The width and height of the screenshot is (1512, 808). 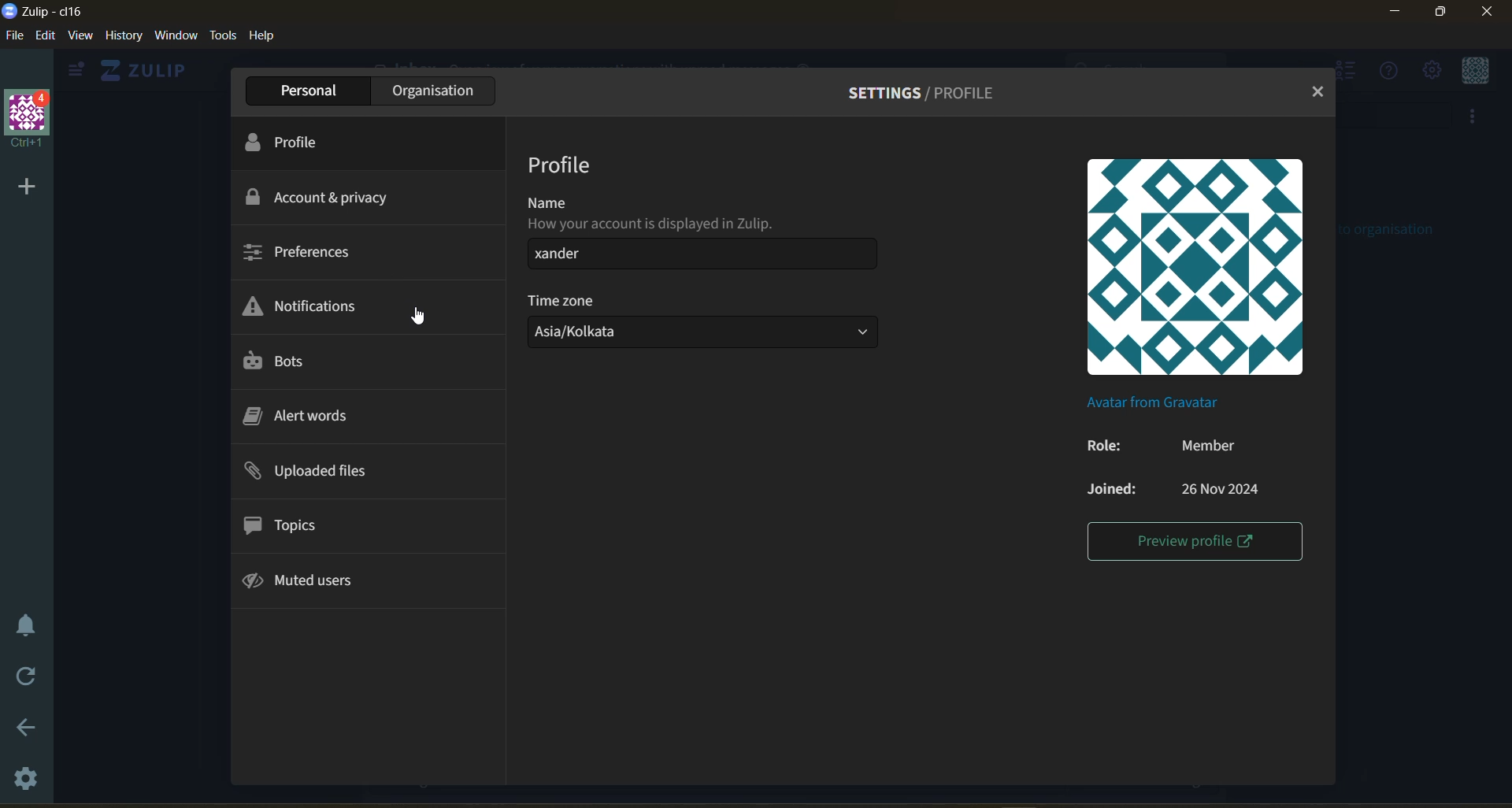 What do you see at coordinates (1390, 72) in the screenshot?
I see `help menu` at bounding box center [1390, 72].